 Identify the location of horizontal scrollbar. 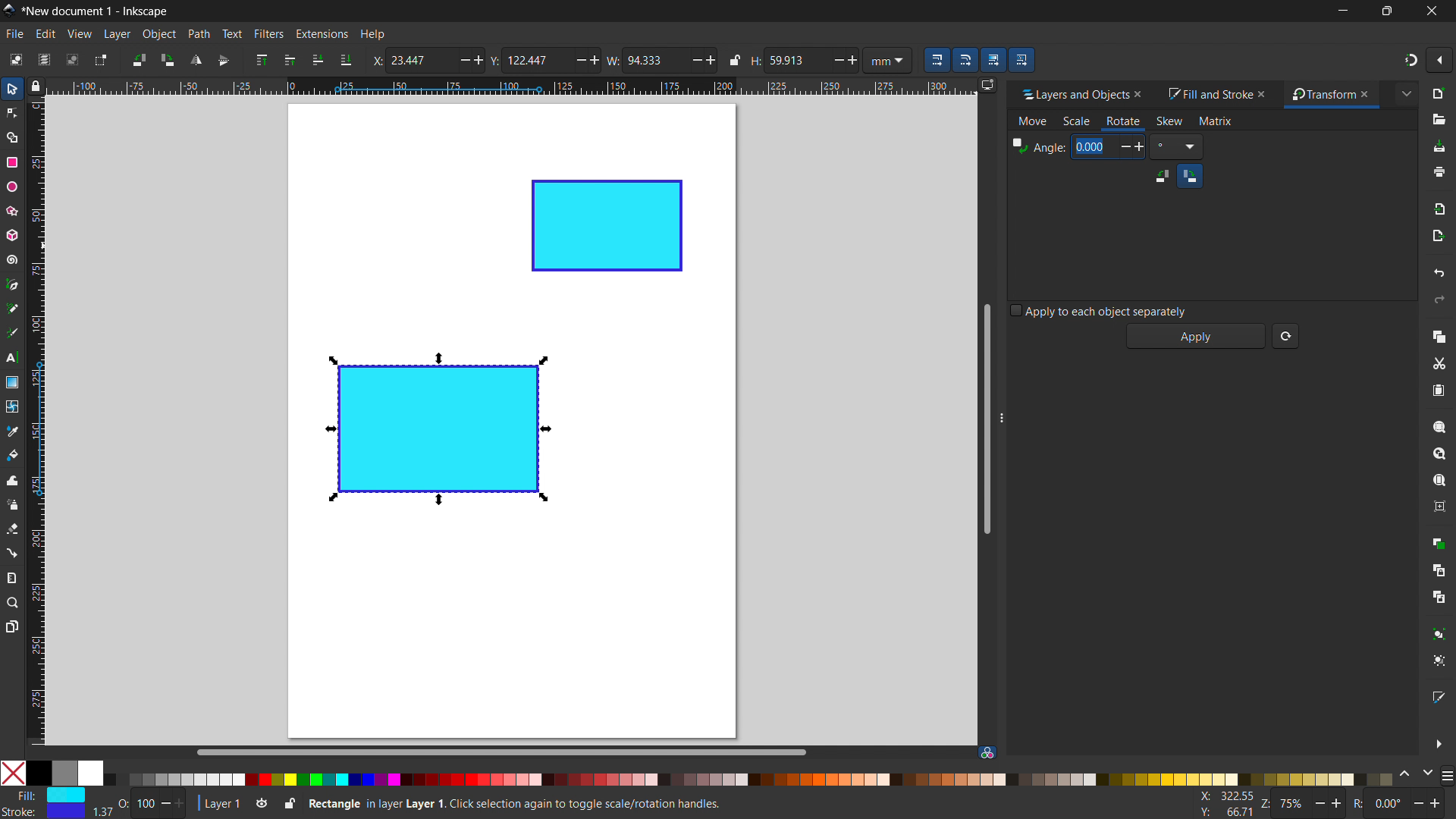
(499, 752).